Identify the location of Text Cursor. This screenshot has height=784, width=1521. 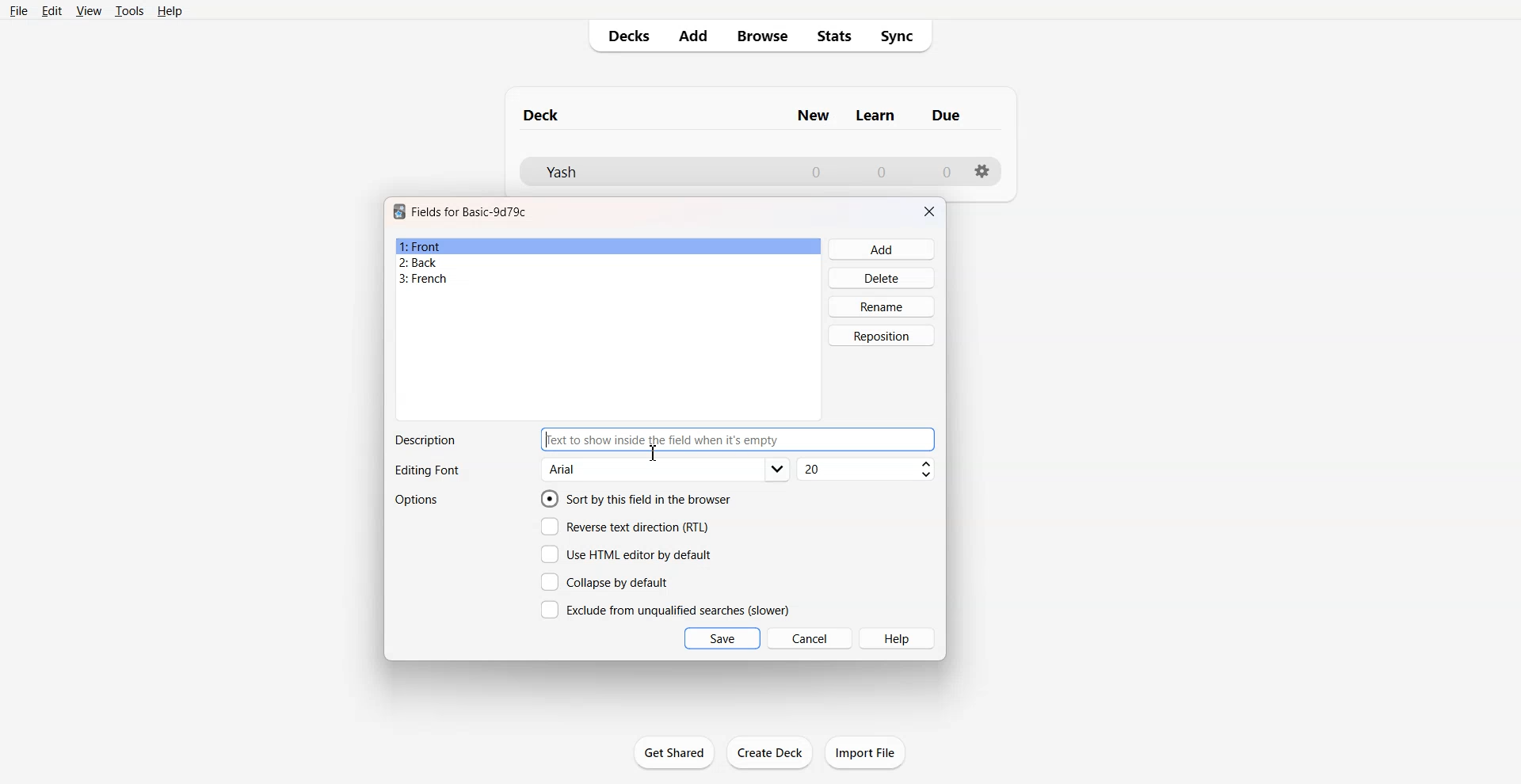
(654, 453).